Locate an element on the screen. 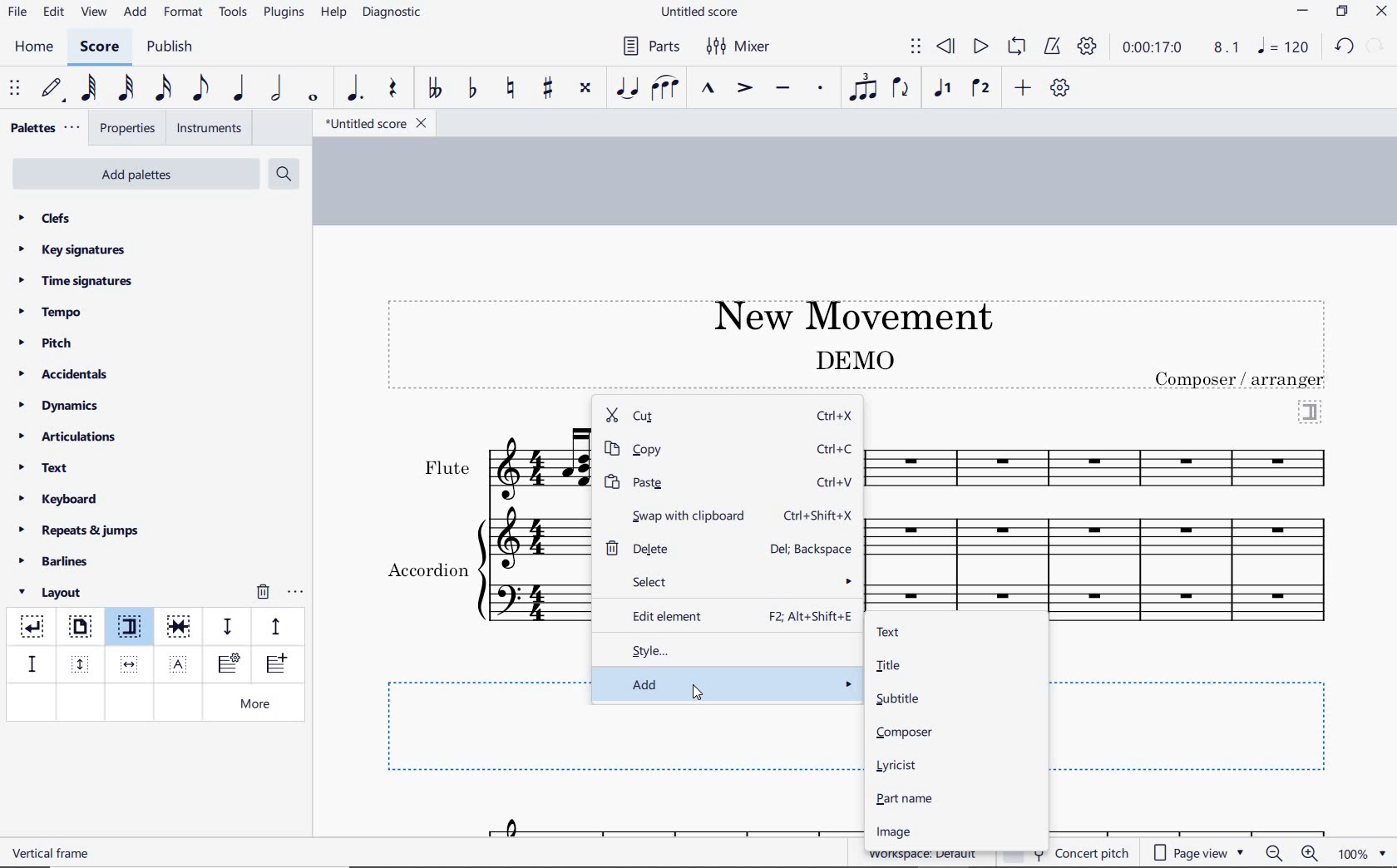  redo is located at coordinates (1377, 45).